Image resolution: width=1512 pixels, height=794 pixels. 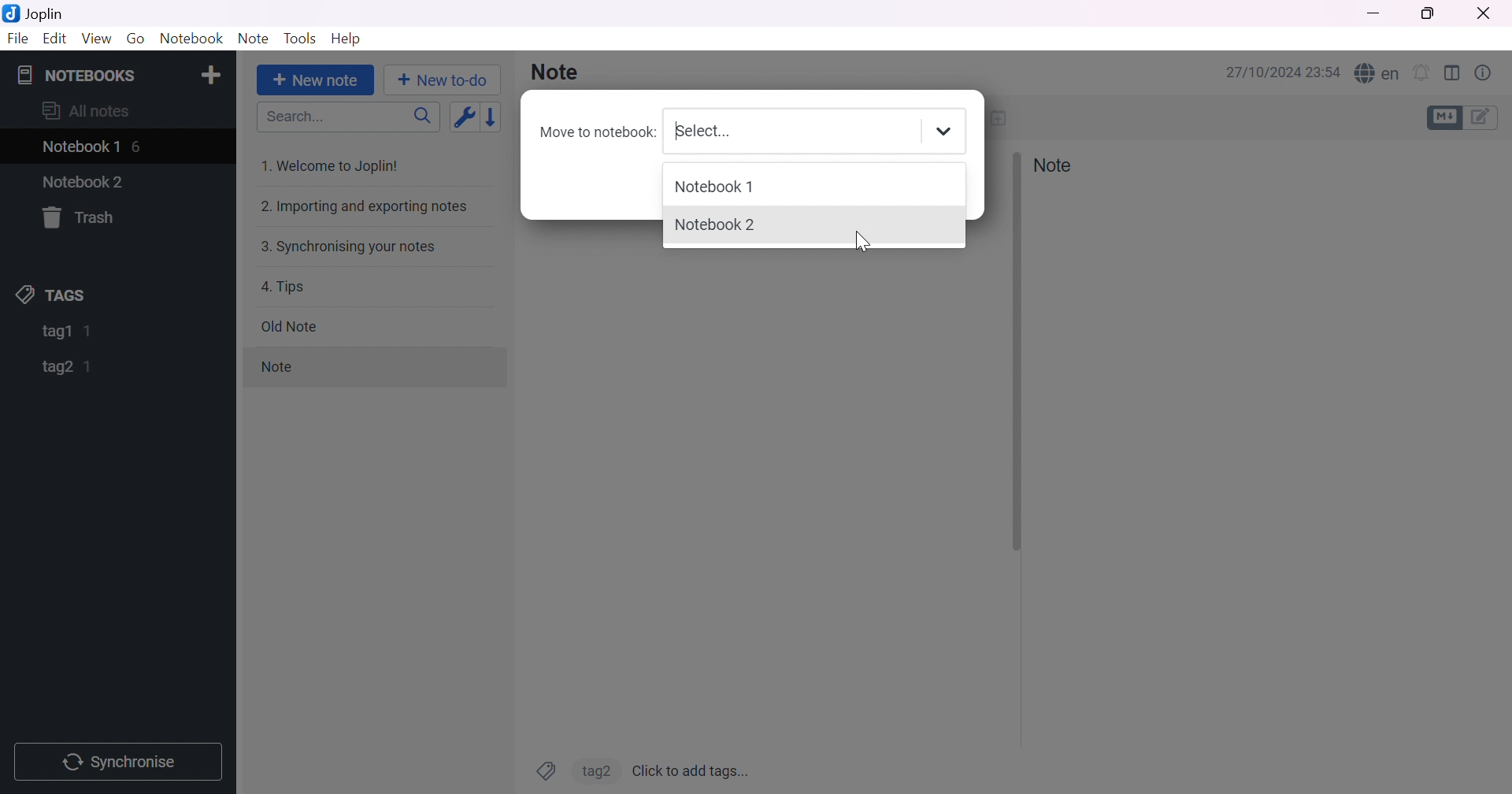 What do you see at coordinates (556, 73) in the screenshot?
I see `Note` at bounding box center [556, 73].